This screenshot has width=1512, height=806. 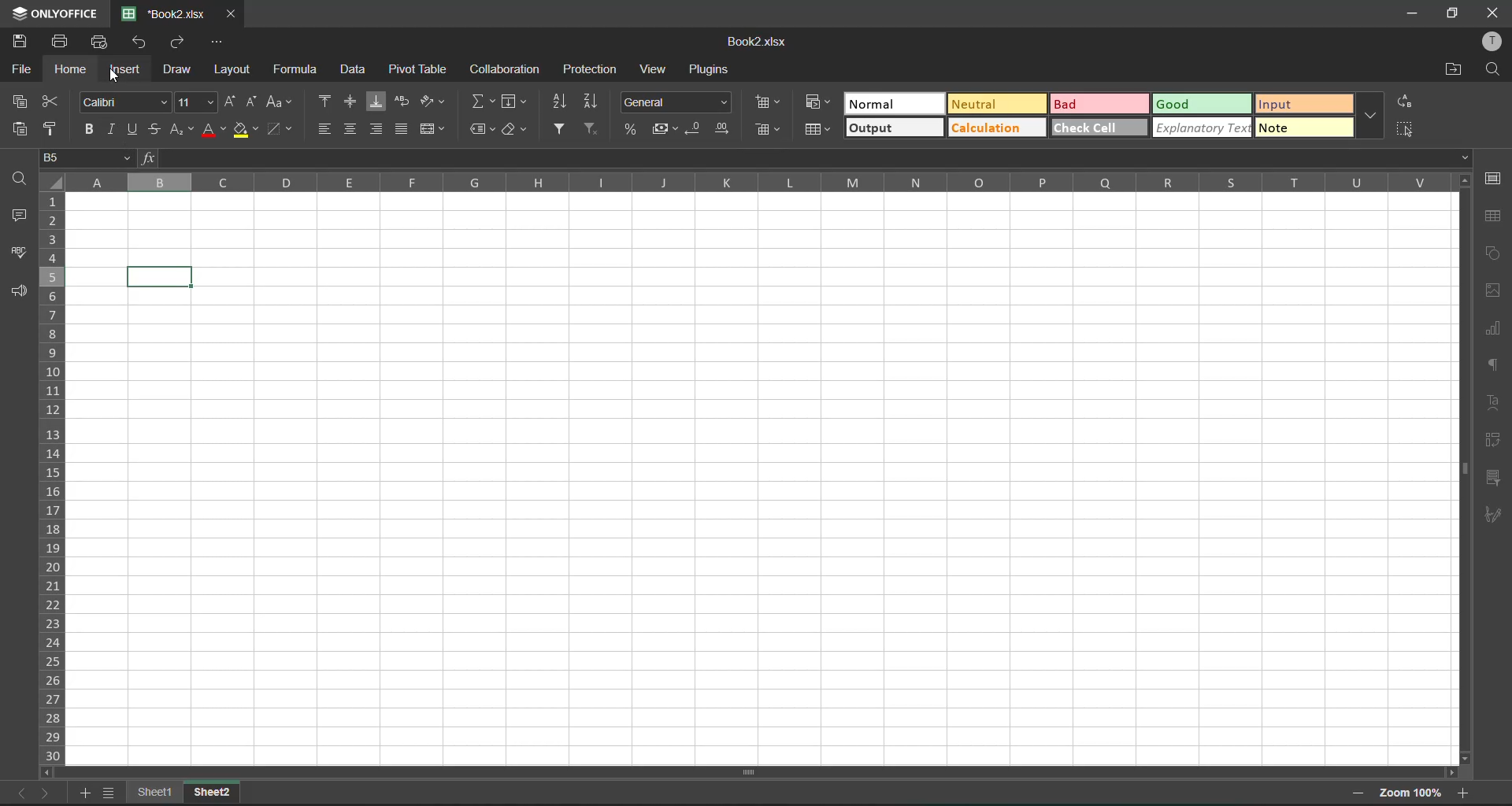 I want to click on zoom in, so click(x=1464, y=790).